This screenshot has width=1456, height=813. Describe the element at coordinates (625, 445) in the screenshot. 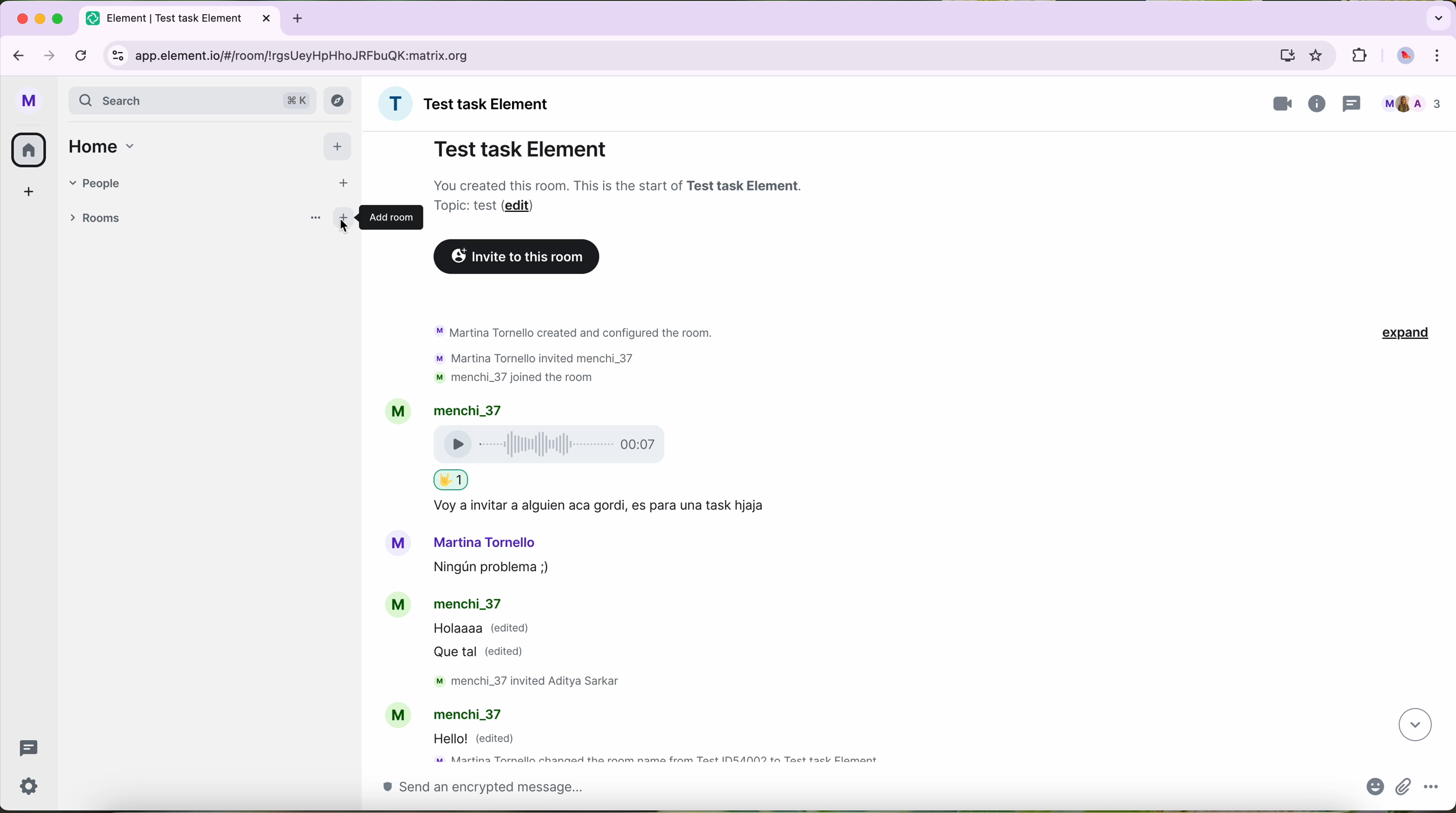

I see `voice message` at that location.